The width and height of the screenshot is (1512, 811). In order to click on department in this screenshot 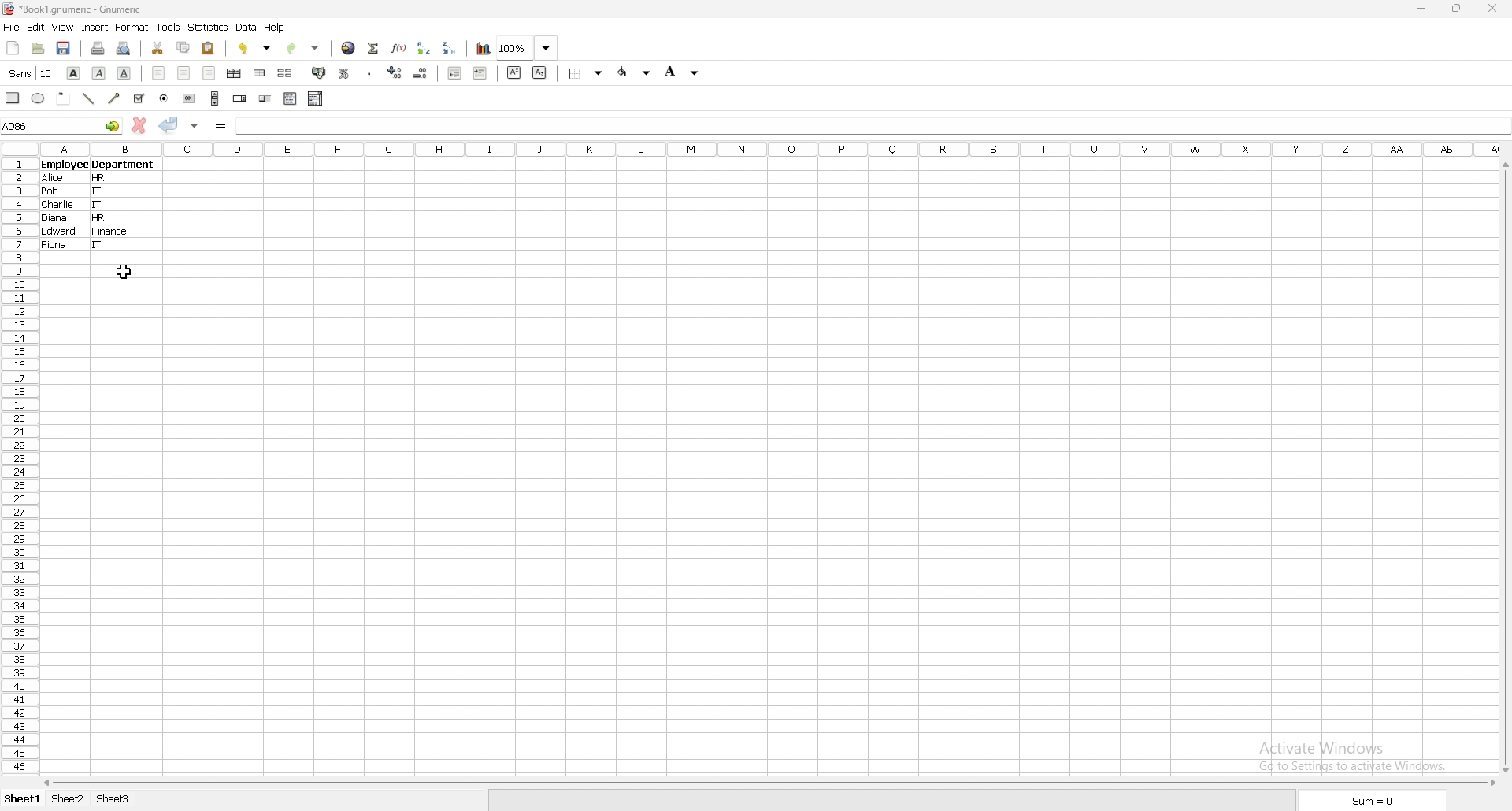, I will do `click(122, 165)`.